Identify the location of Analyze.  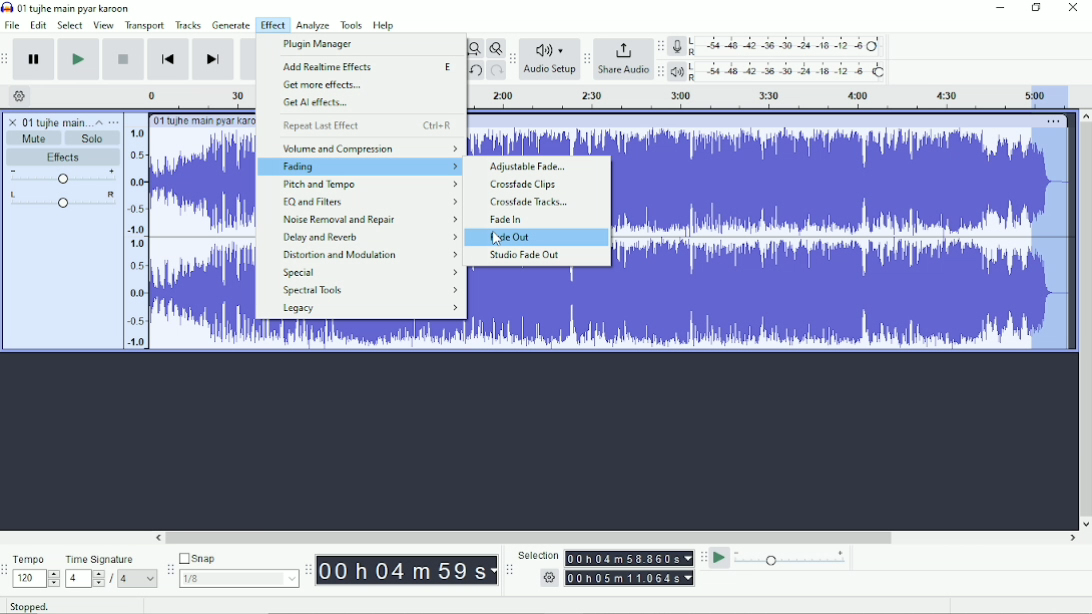
(314, 25).